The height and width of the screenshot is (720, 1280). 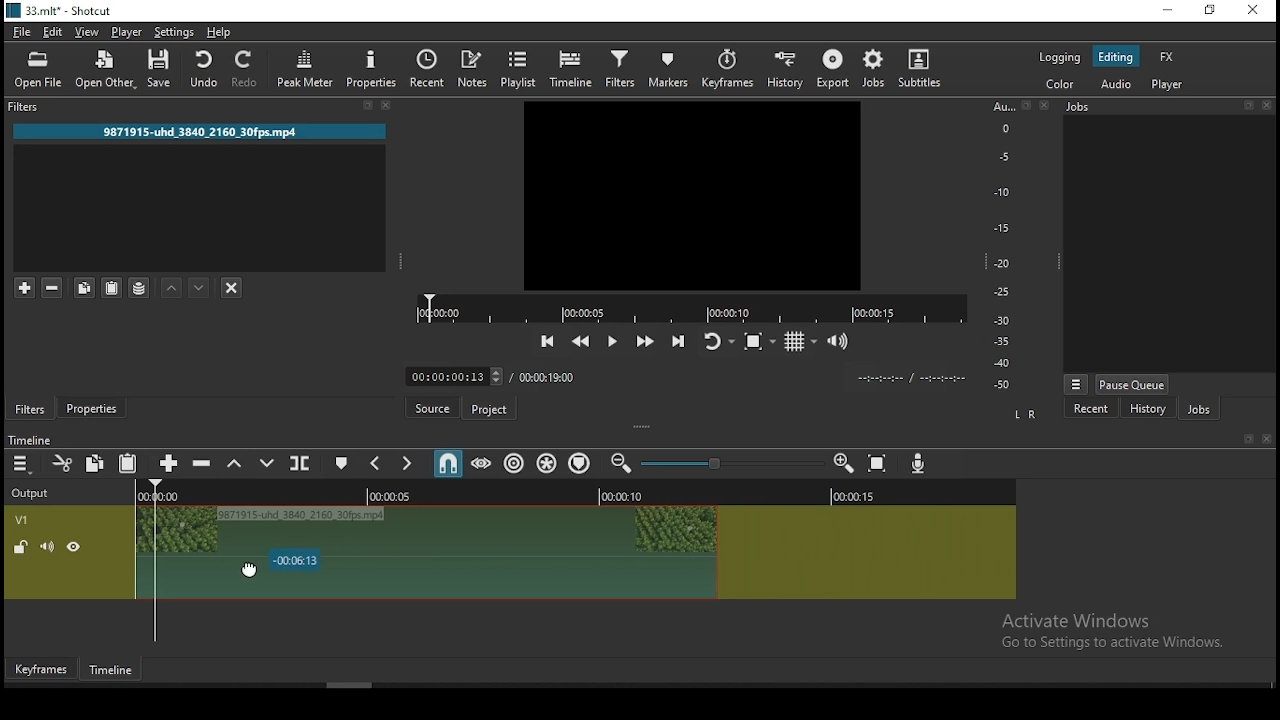 What do you see at coordinates (1002, 246) in the screenshot?
I see `scale` at bounding box center [1002, 246].